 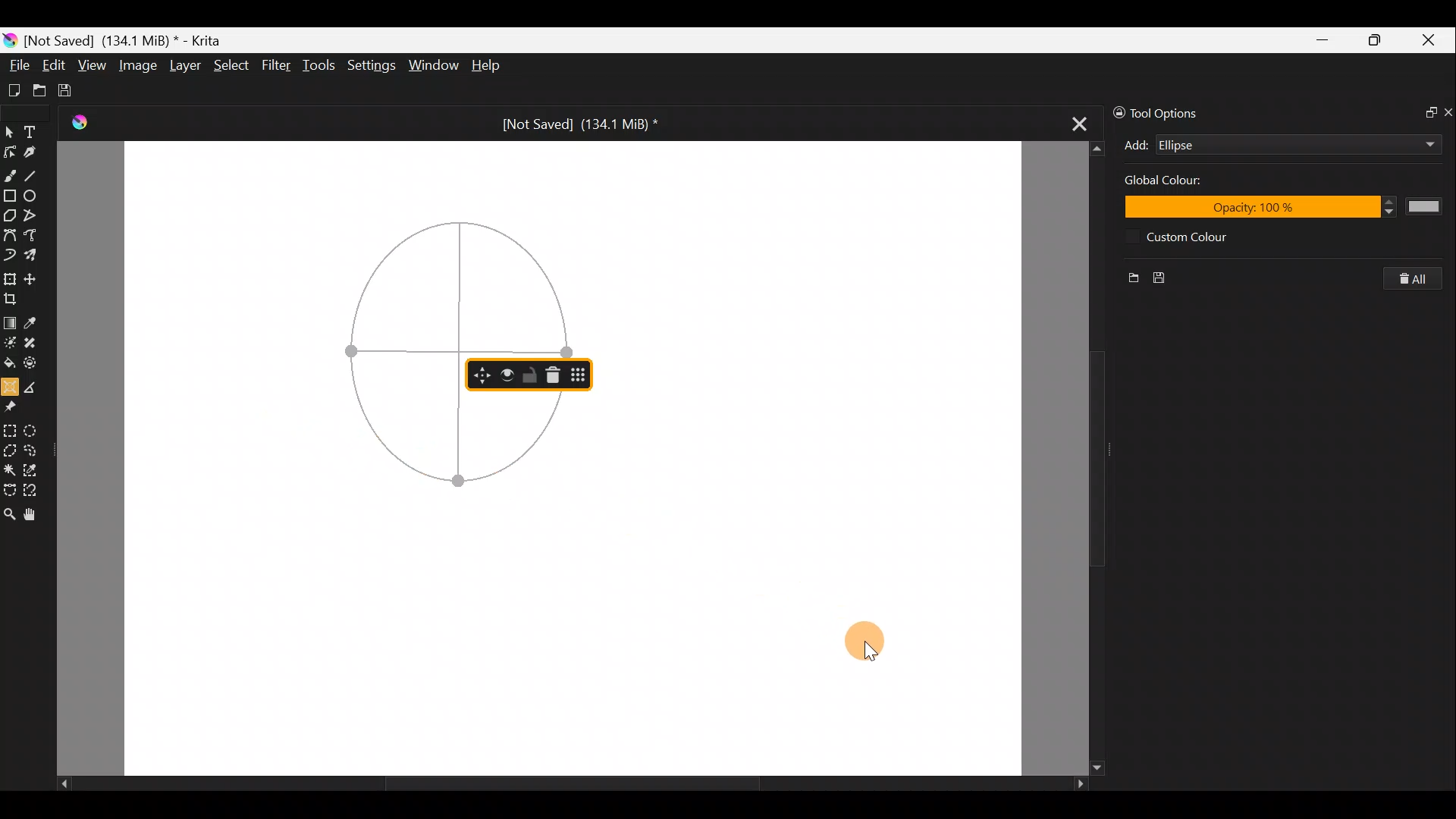 I want to click on Colorize mask tool, so click(x=10, y=343).